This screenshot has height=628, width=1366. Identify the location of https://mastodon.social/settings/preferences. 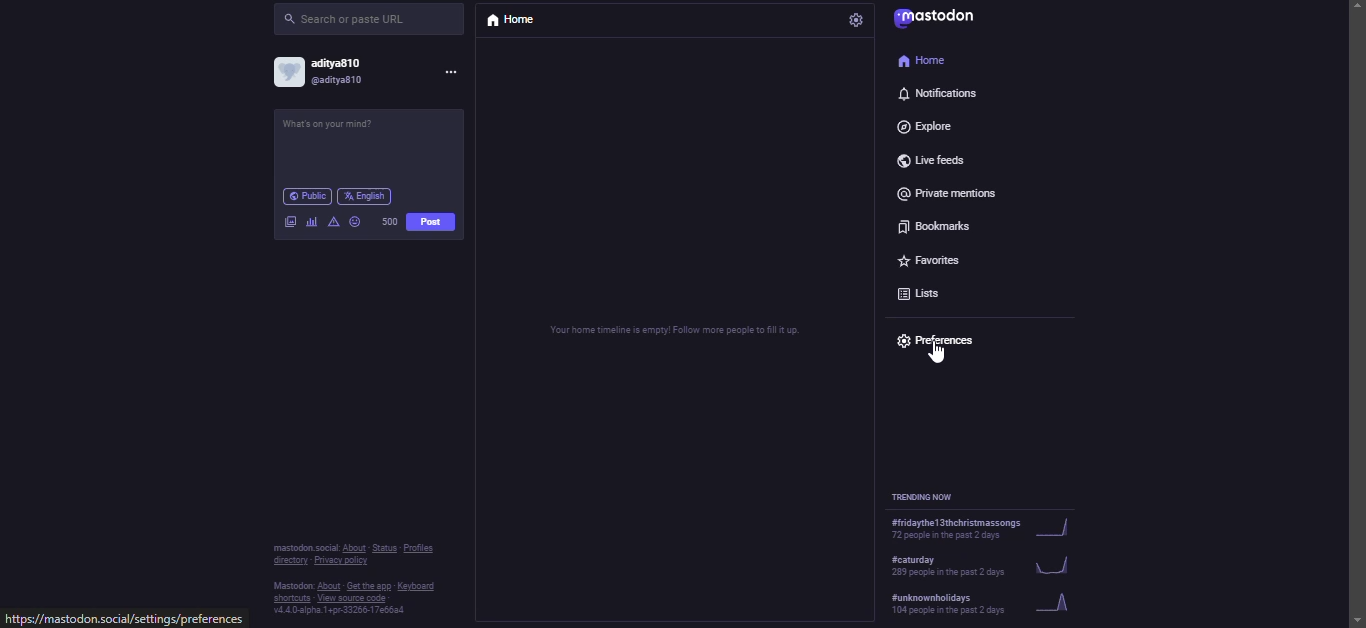
(123, 619).